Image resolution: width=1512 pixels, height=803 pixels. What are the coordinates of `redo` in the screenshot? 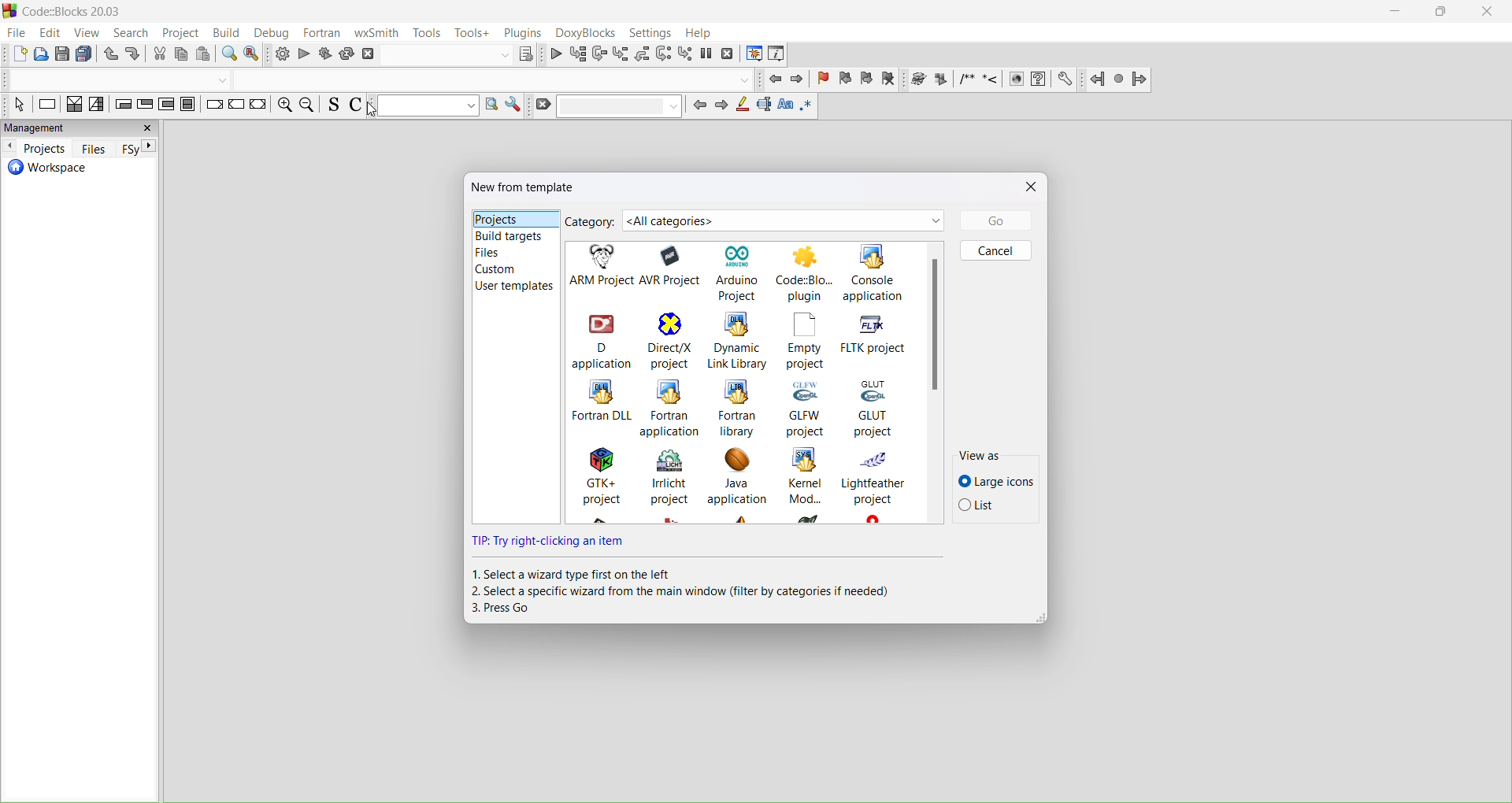 It's located at (135, 54).